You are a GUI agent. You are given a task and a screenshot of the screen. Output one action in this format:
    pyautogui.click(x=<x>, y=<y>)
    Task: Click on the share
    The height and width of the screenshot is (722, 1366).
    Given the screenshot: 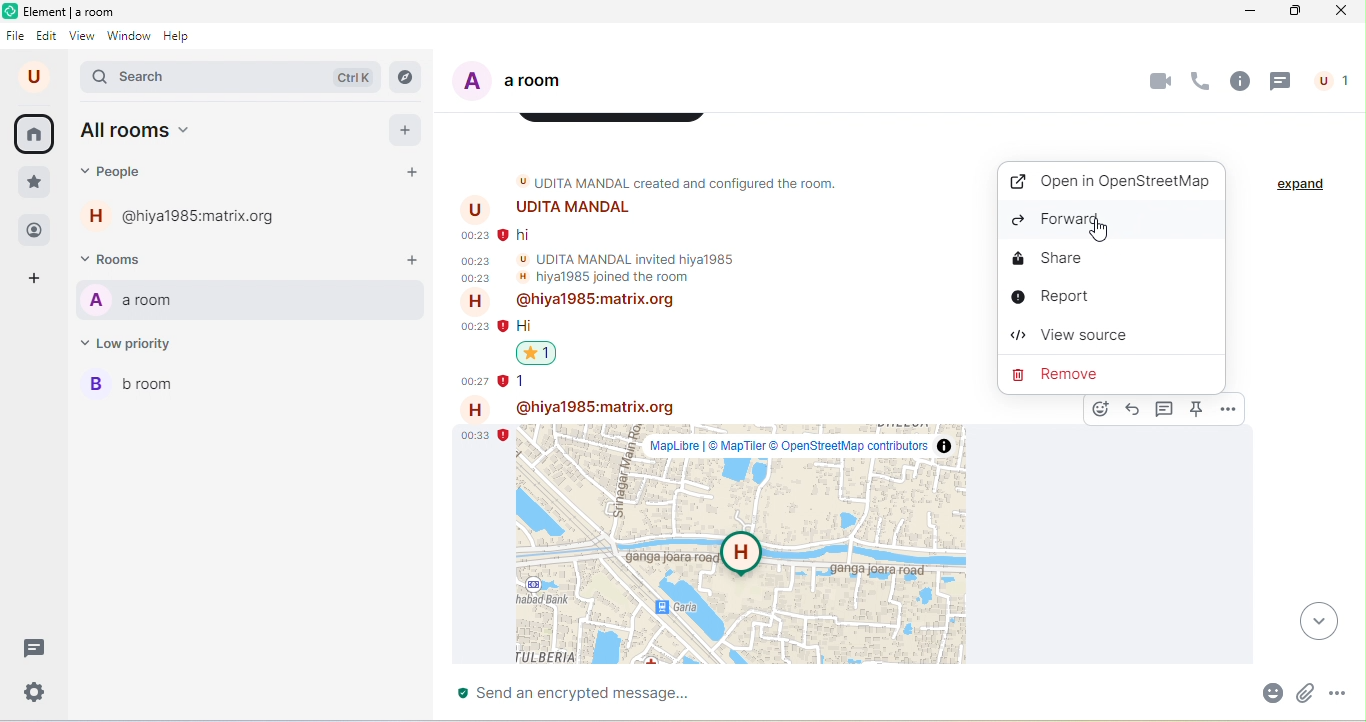 What is the action you would take?
    pyautogui.click(x=1112, y=260)
    